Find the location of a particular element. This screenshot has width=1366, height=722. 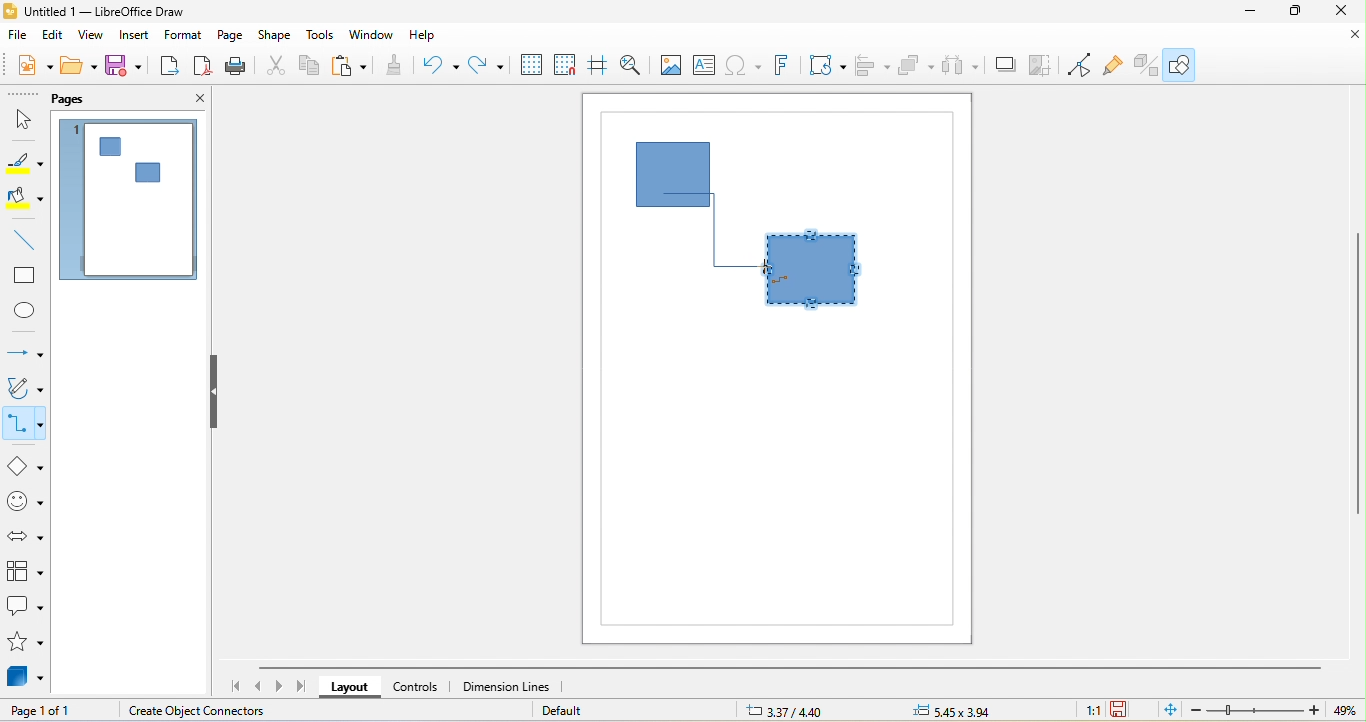

3.37/4.40 is located at coordinates (794, 713).